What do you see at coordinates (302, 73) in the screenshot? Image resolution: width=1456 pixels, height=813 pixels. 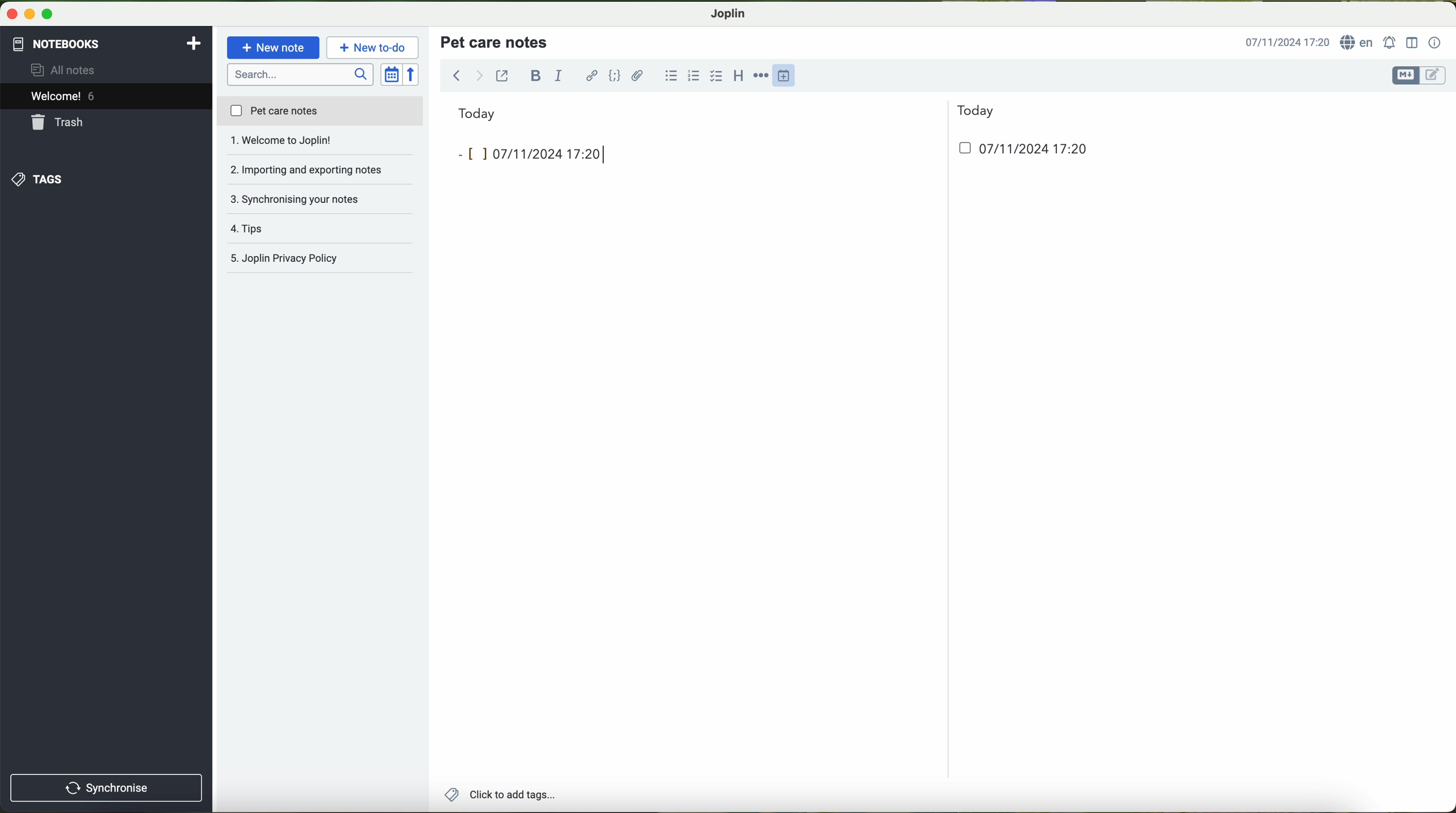 I see `search bar` at bounding box center [302, 73].